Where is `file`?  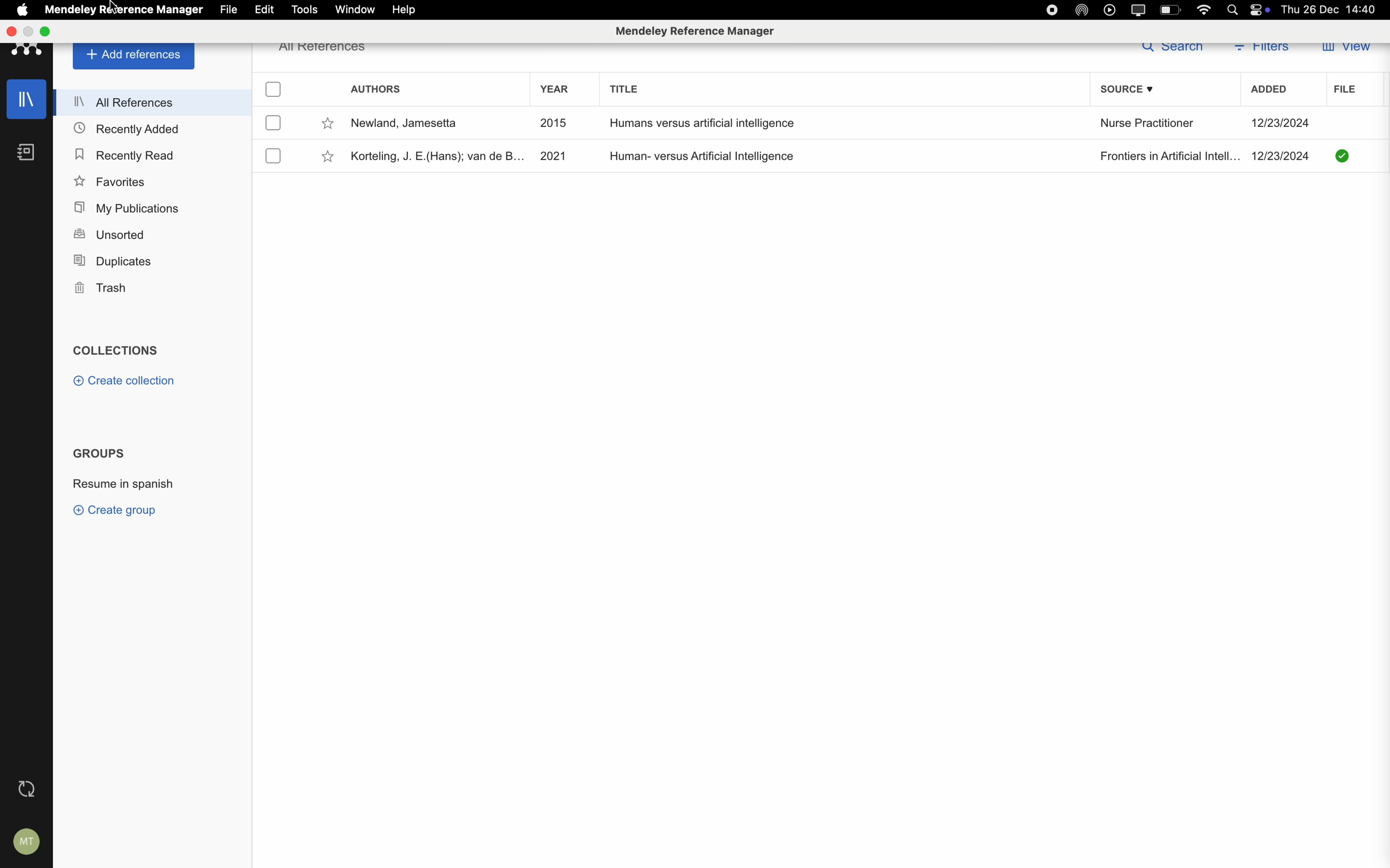
file is located at coordinates (227, 10).